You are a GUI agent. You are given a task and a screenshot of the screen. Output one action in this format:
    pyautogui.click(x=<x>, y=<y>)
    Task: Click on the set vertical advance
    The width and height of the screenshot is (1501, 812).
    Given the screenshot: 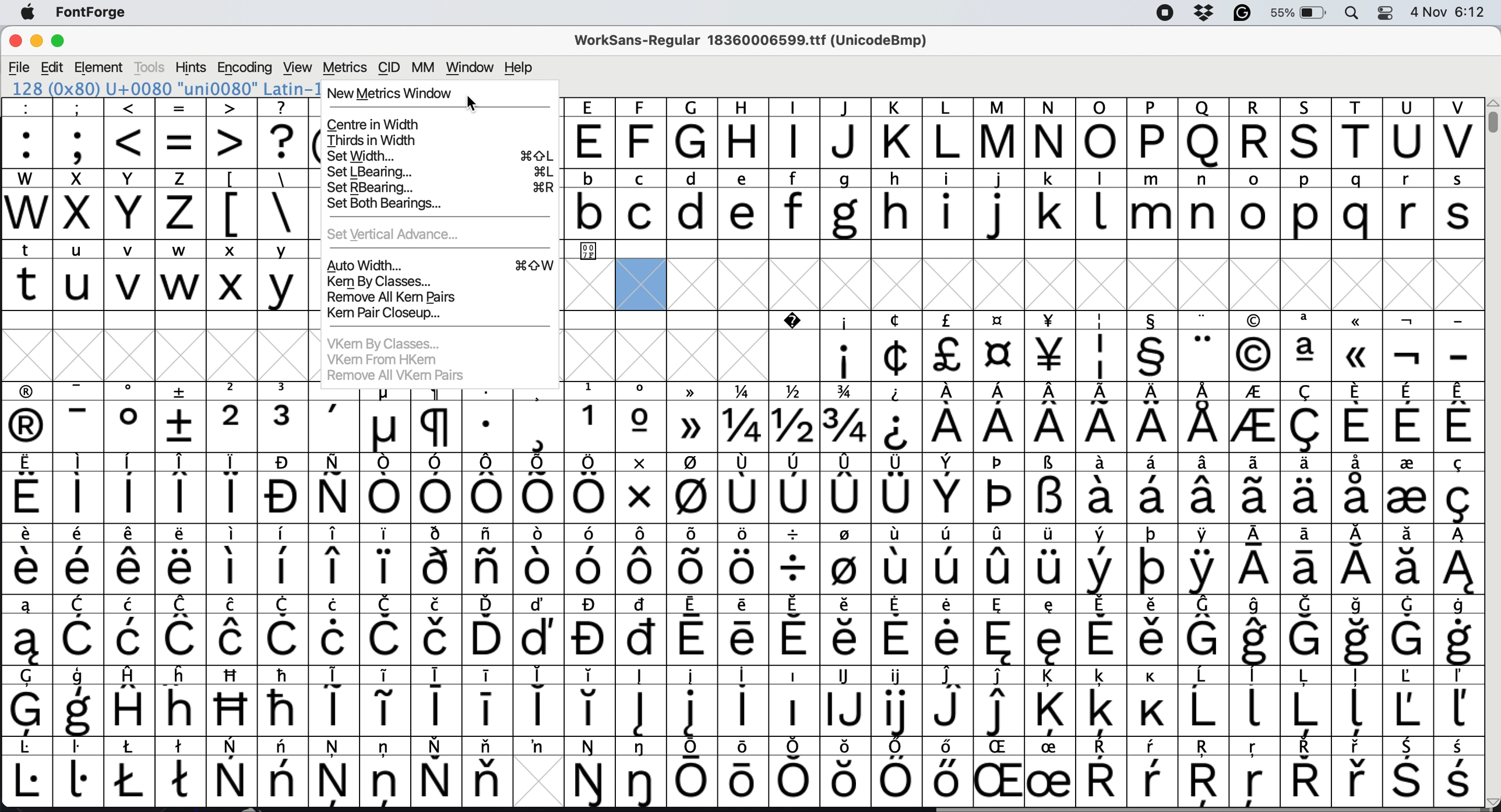 What is the action you would take?
    pyautogui.click(x=401, y=234)
    